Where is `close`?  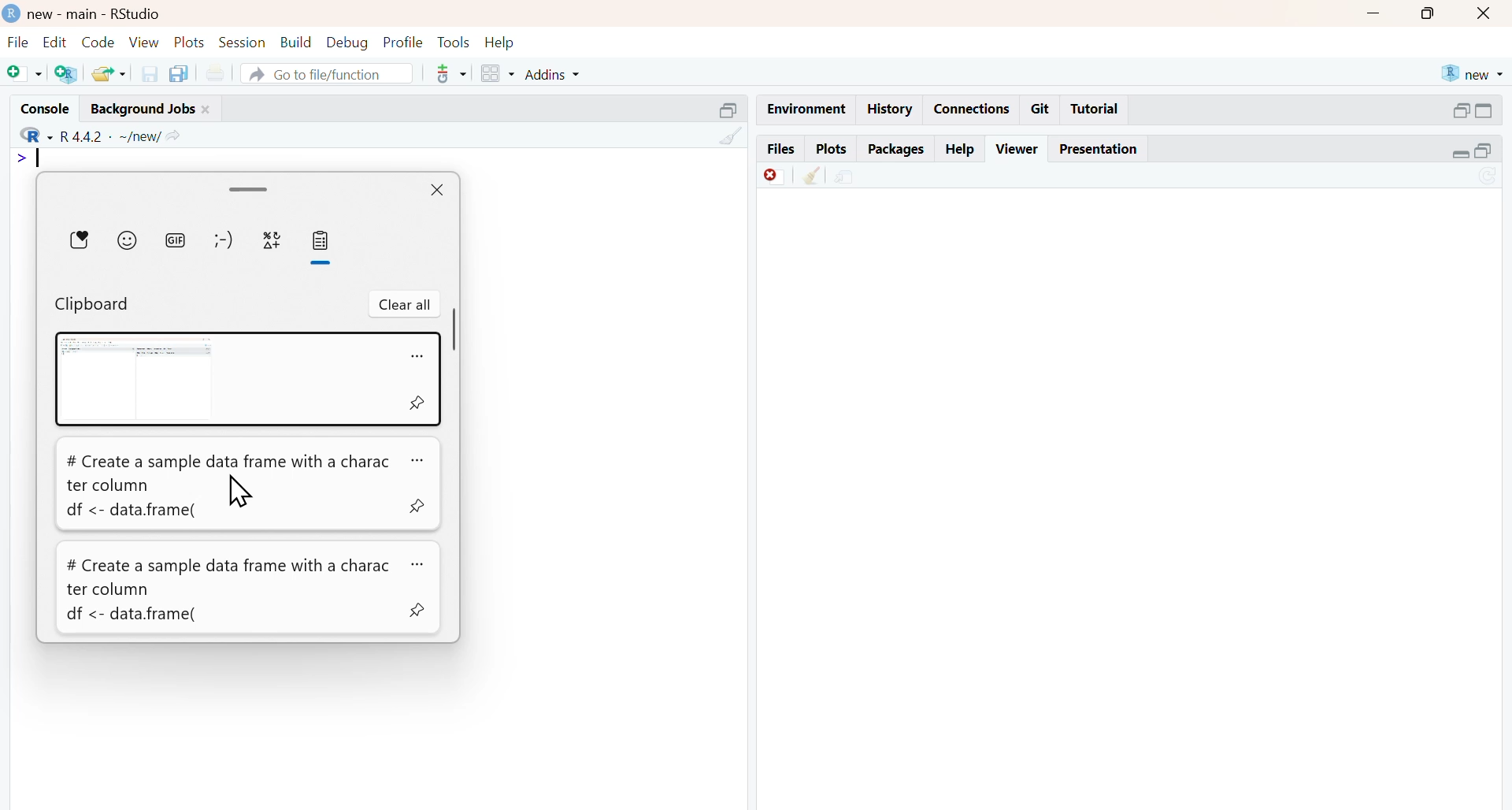 close is located at coordinates (1484, 13).